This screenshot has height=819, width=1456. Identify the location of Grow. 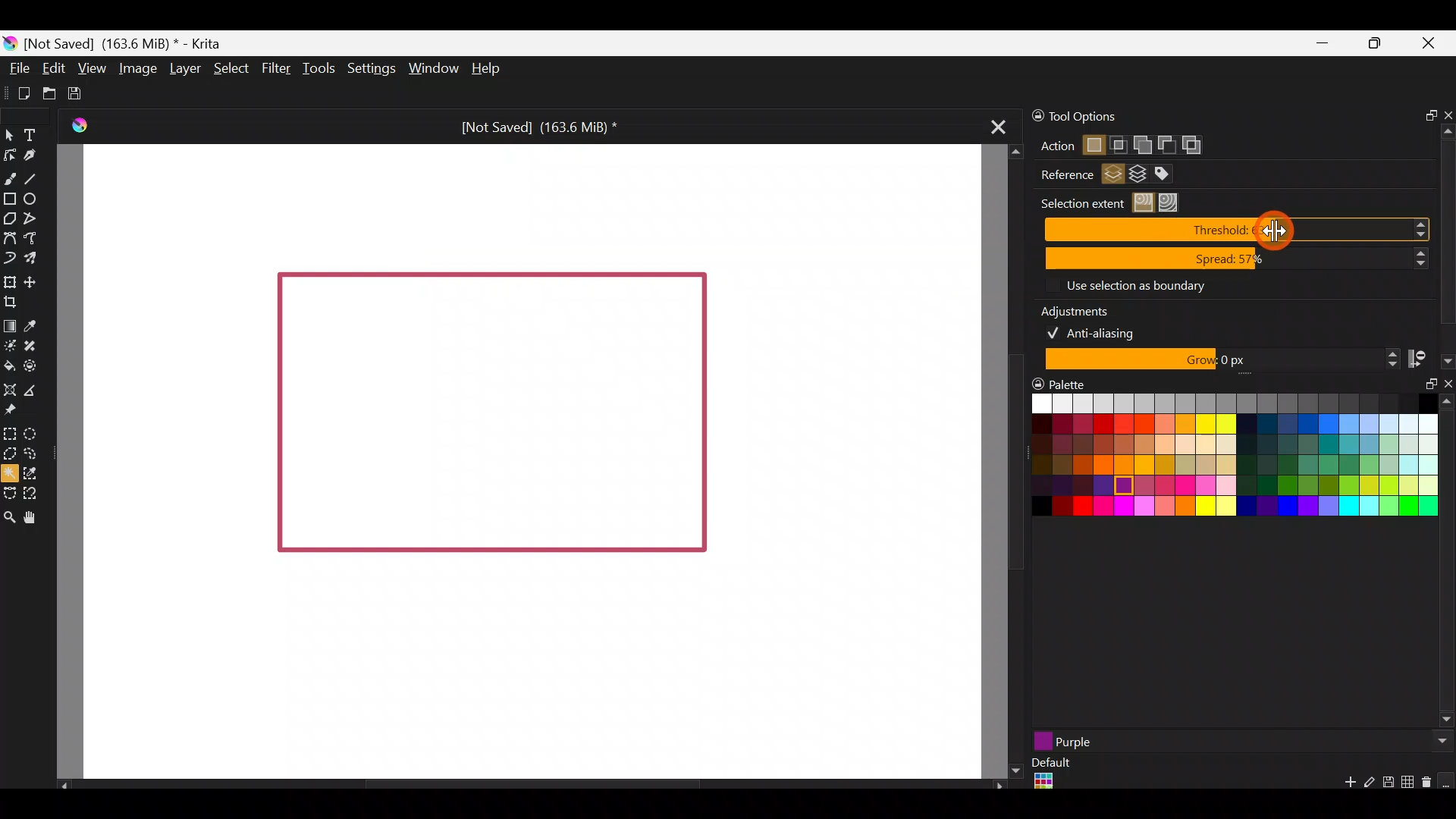
(1219, 360).